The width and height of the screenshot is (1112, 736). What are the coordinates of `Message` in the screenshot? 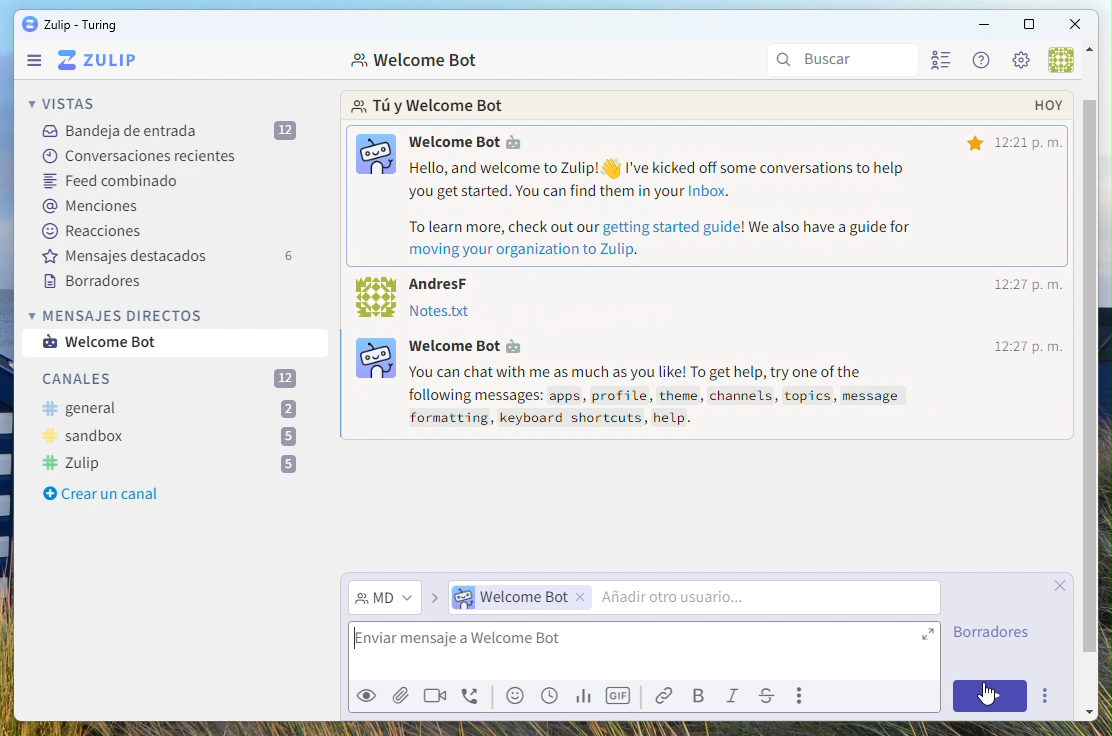 It's located at (116, 343).